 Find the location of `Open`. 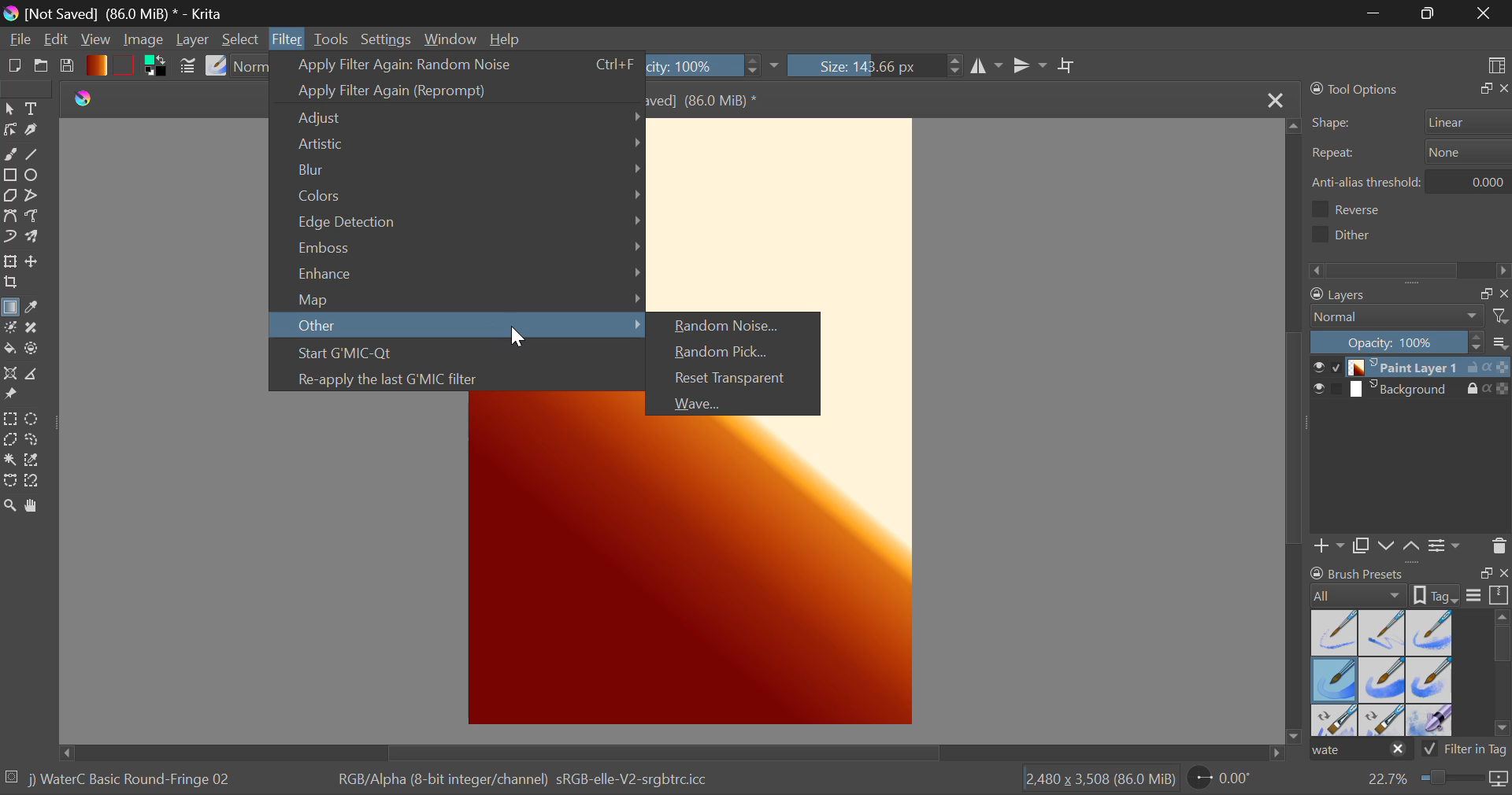

Open is located at coordinates (41, 66).